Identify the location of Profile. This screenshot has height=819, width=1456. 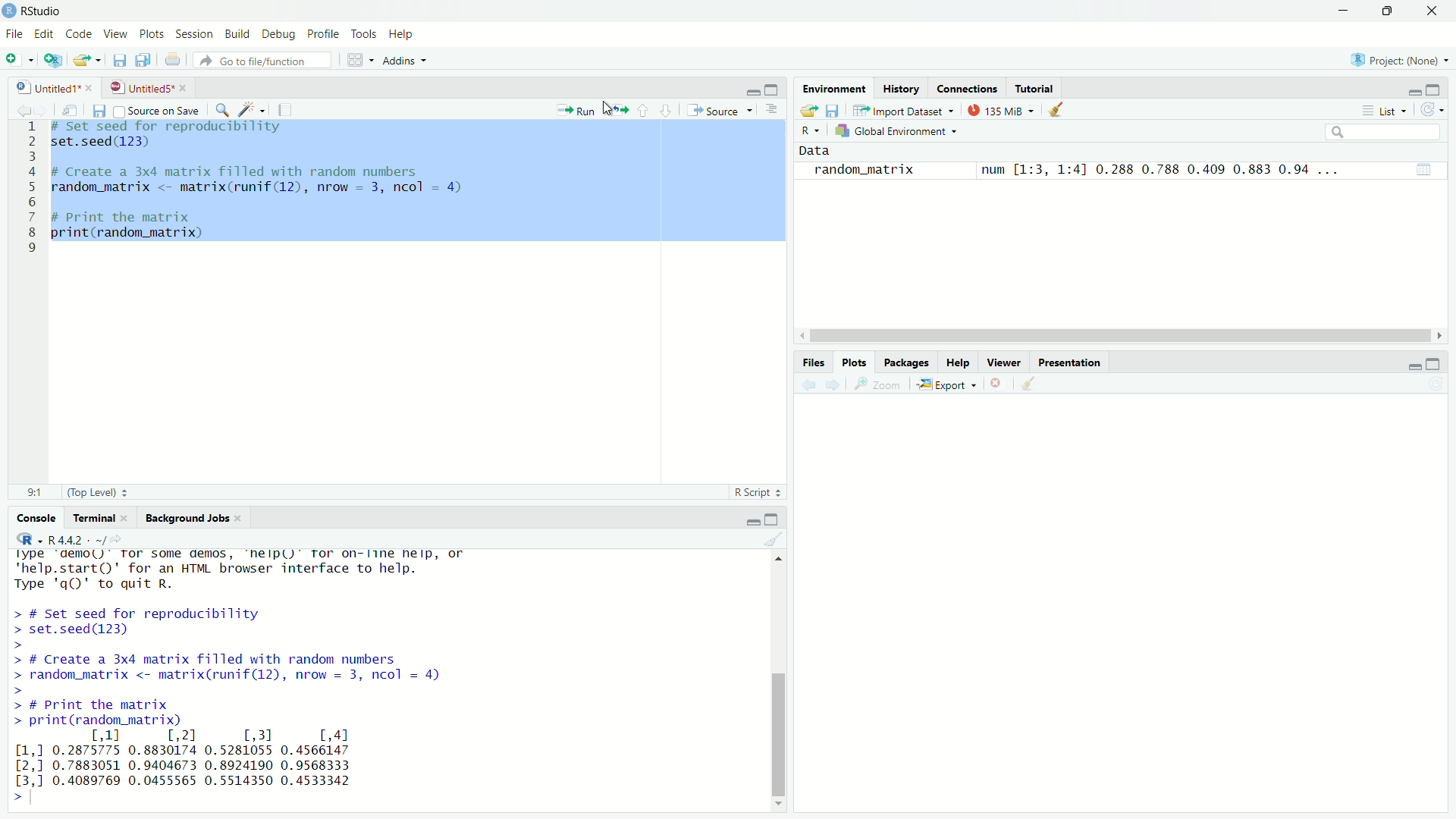
(322, 32).